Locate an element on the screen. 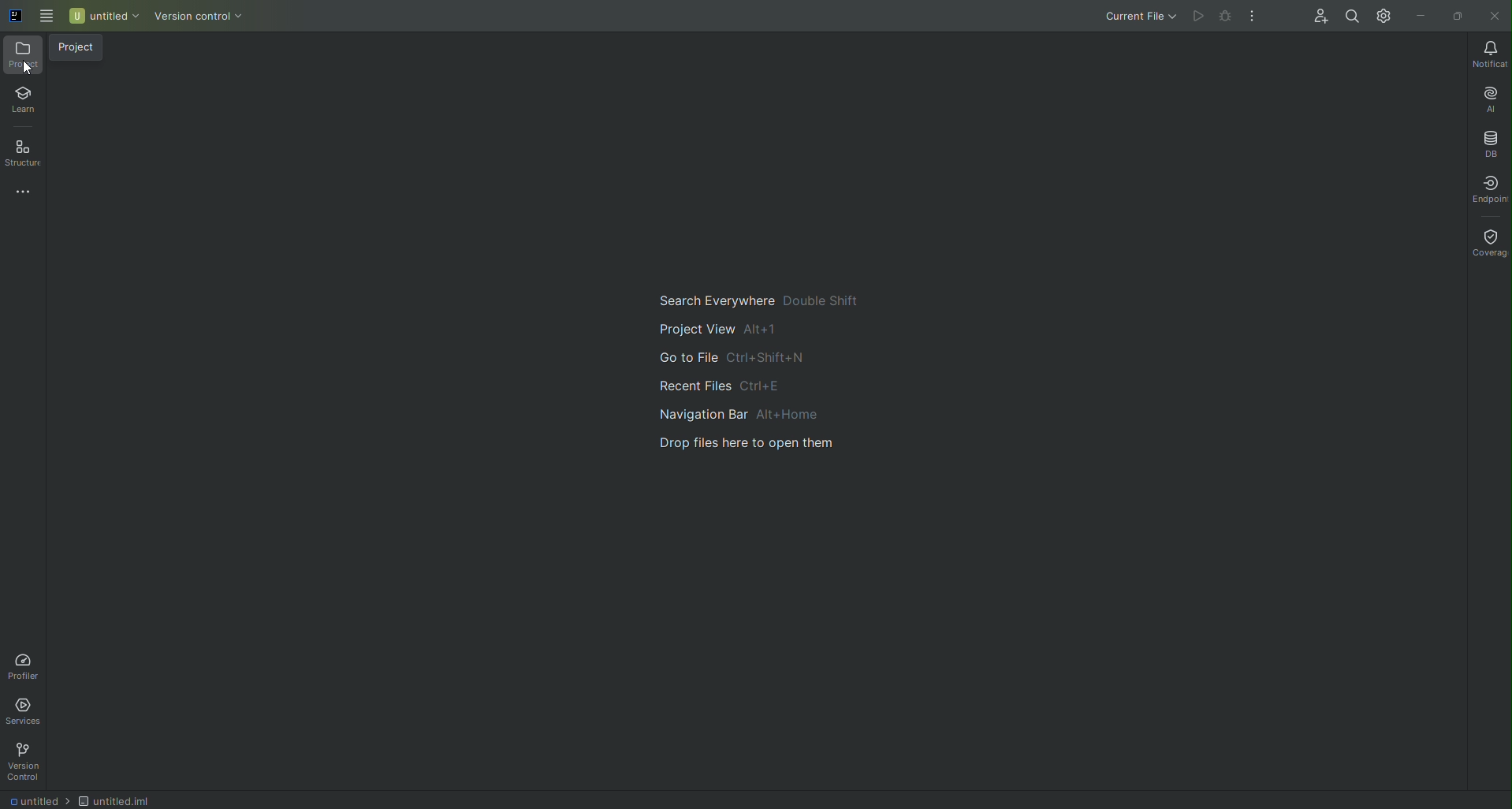 Image resolution: width=1512 pixels, height=809 pixels. Updates and Settings is located at coordinates (1382, 15).